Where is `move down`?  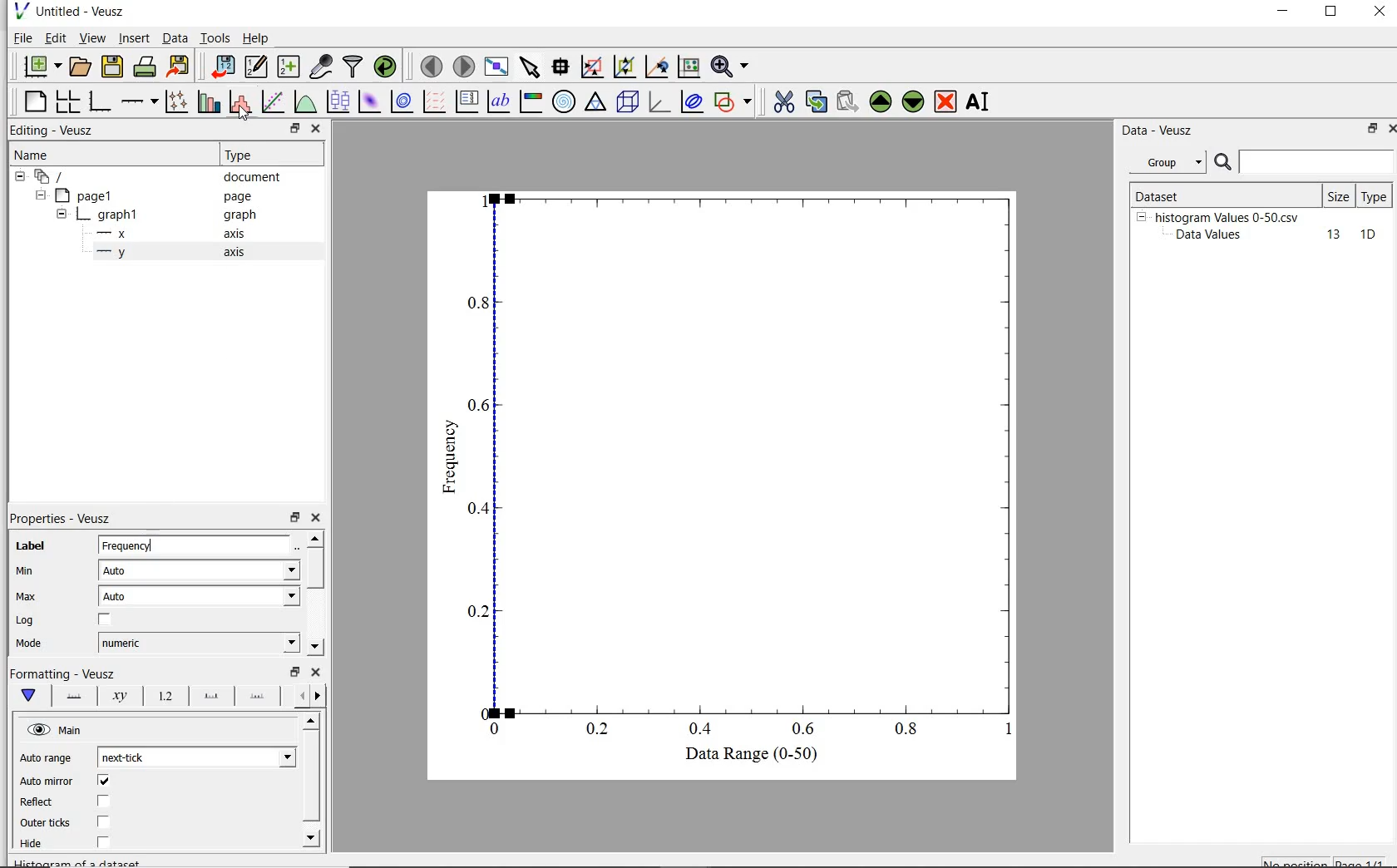
move down is located at coordinates (313, 837).